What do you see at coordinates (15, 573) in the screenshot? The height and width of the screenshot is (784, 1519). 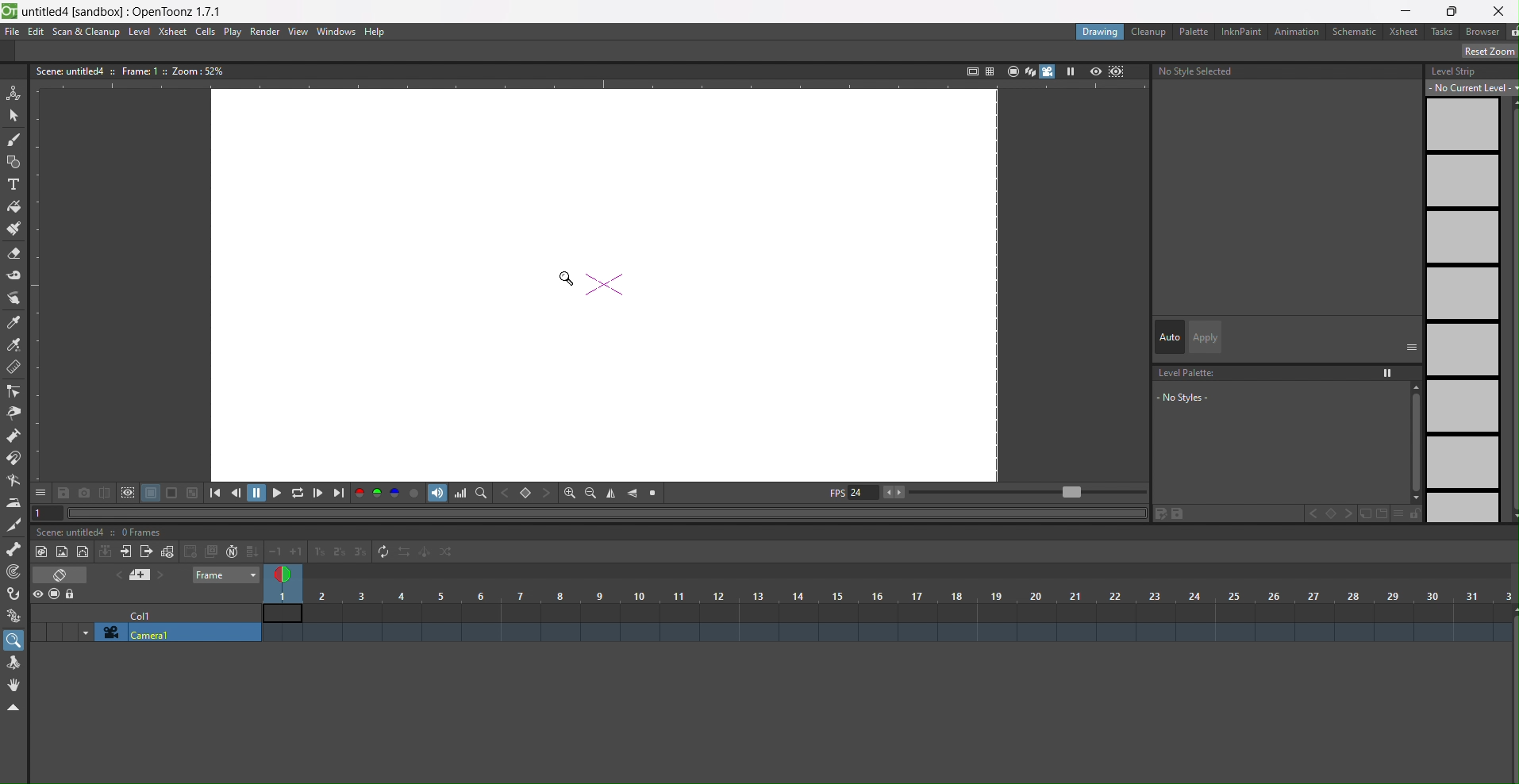 I see `tracker tool` at bounding box center [15, 573].